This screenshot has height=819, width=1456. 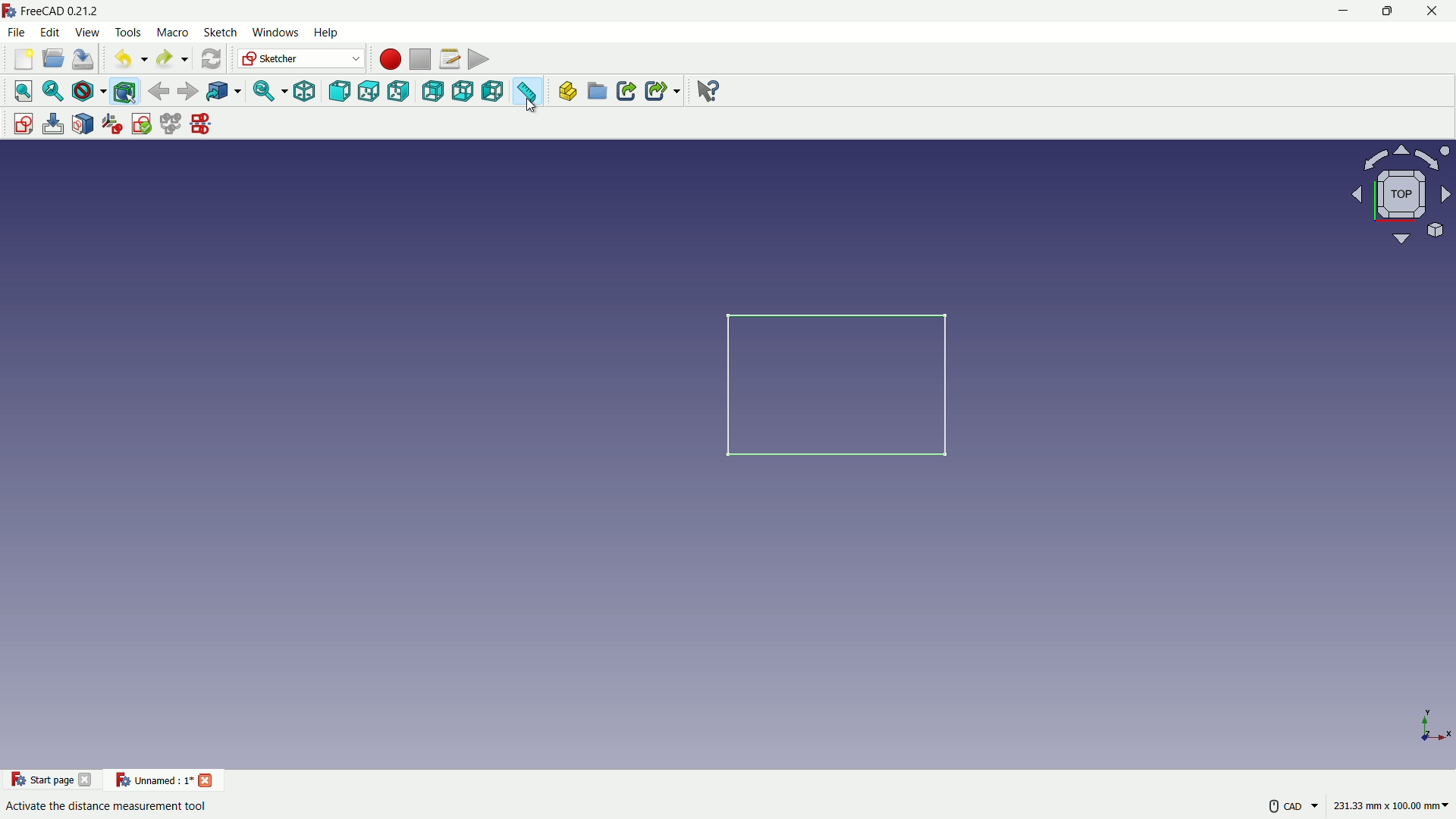 What do you see at coordinates (19, 122) in the screenshot?
I see `create sketch` at bounding box center [19, 122].